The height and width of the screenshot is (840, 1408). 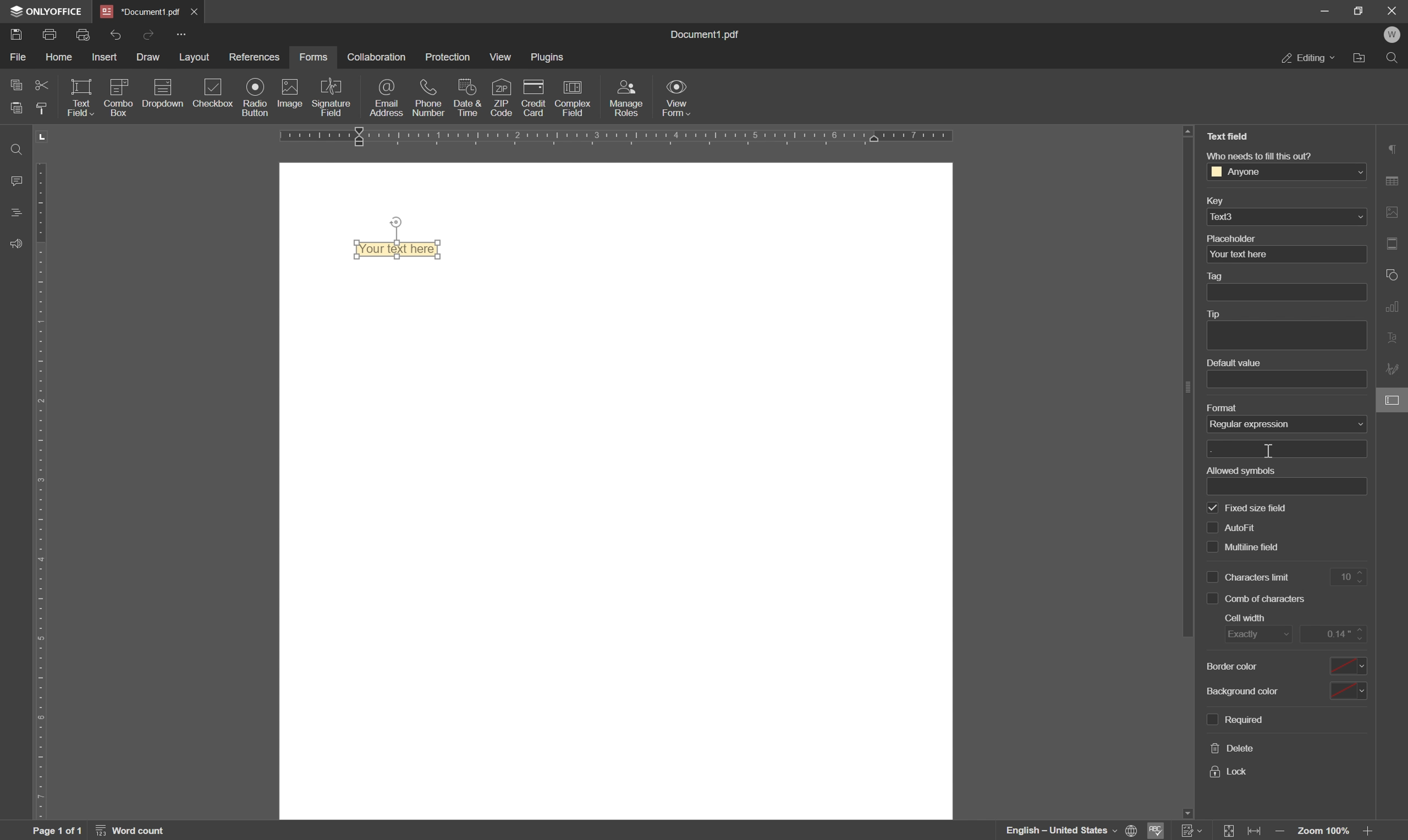 I want to click on format, so click(x=1221, y=406).